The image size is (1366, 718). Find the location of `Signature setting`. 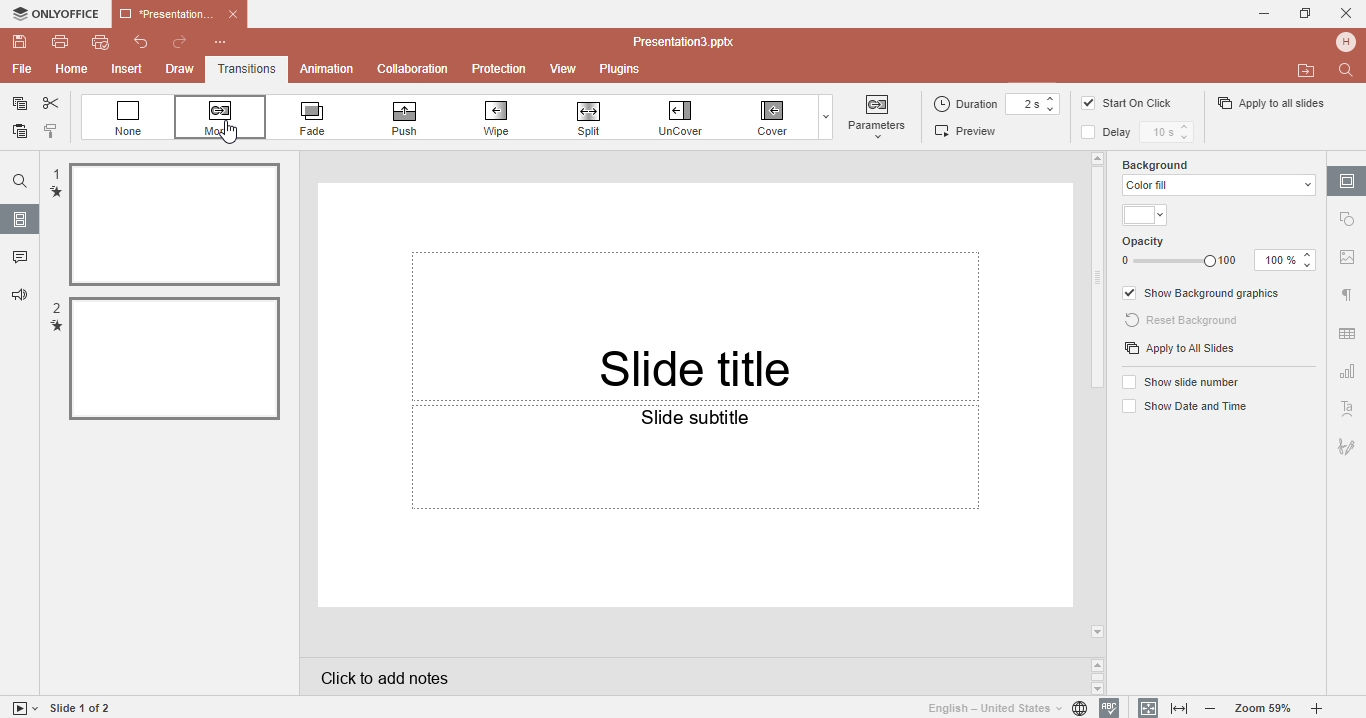

Signature setting is located at coordinates (1346, 443).